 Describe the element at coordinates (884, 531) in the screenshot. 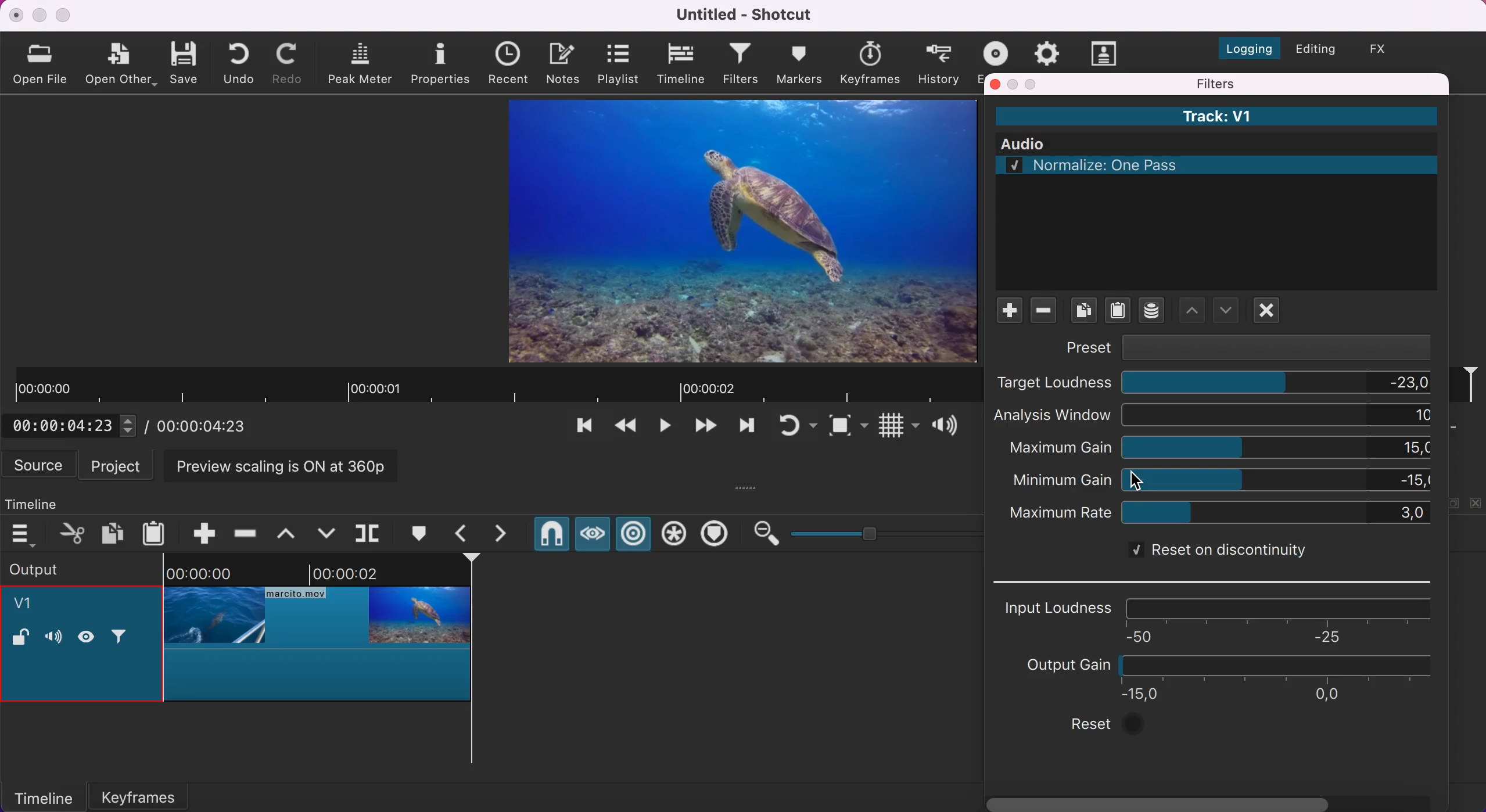

I see `zoom graduation` at that location.